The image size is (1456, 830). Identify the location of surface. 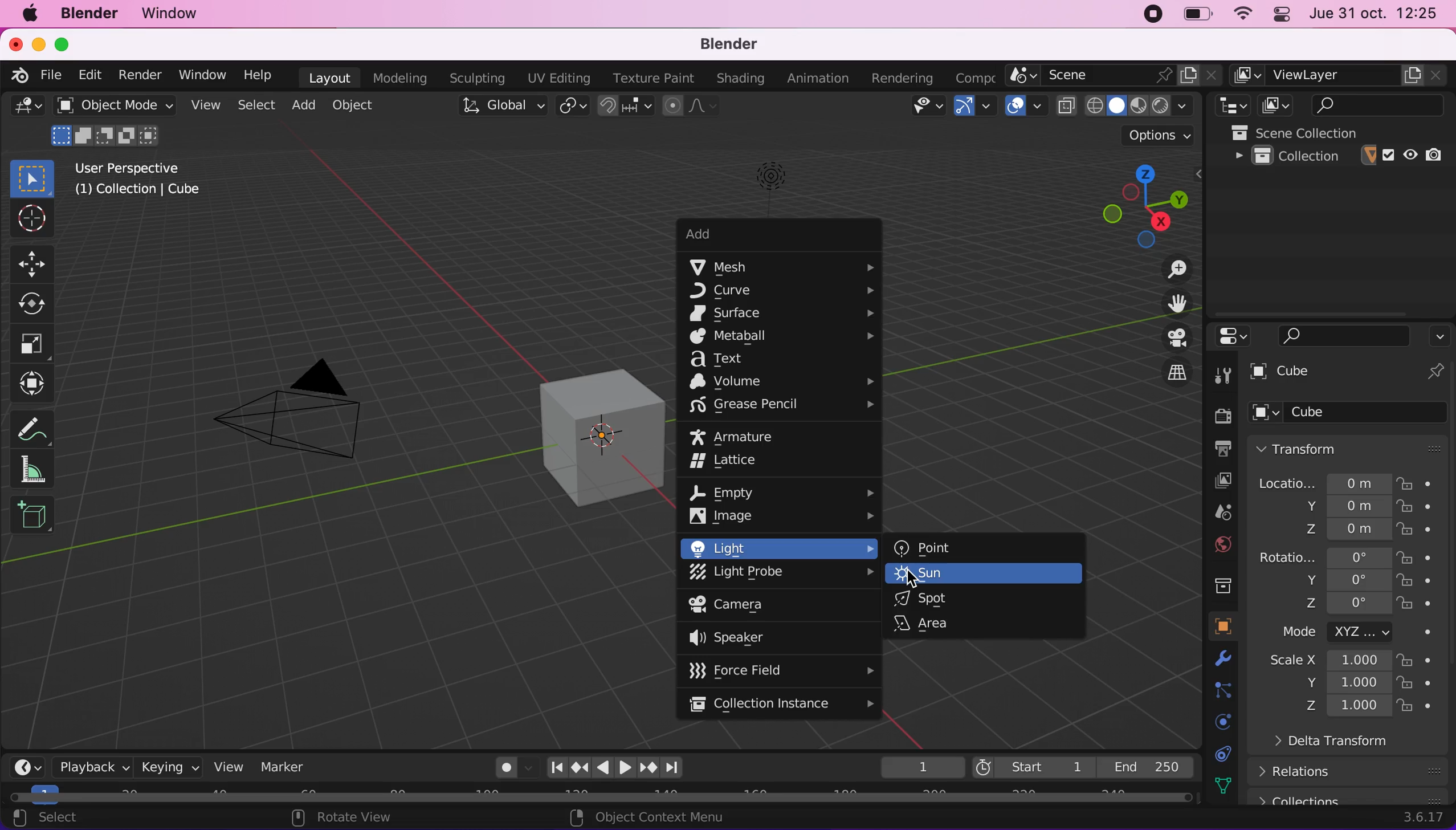
(784, 313).